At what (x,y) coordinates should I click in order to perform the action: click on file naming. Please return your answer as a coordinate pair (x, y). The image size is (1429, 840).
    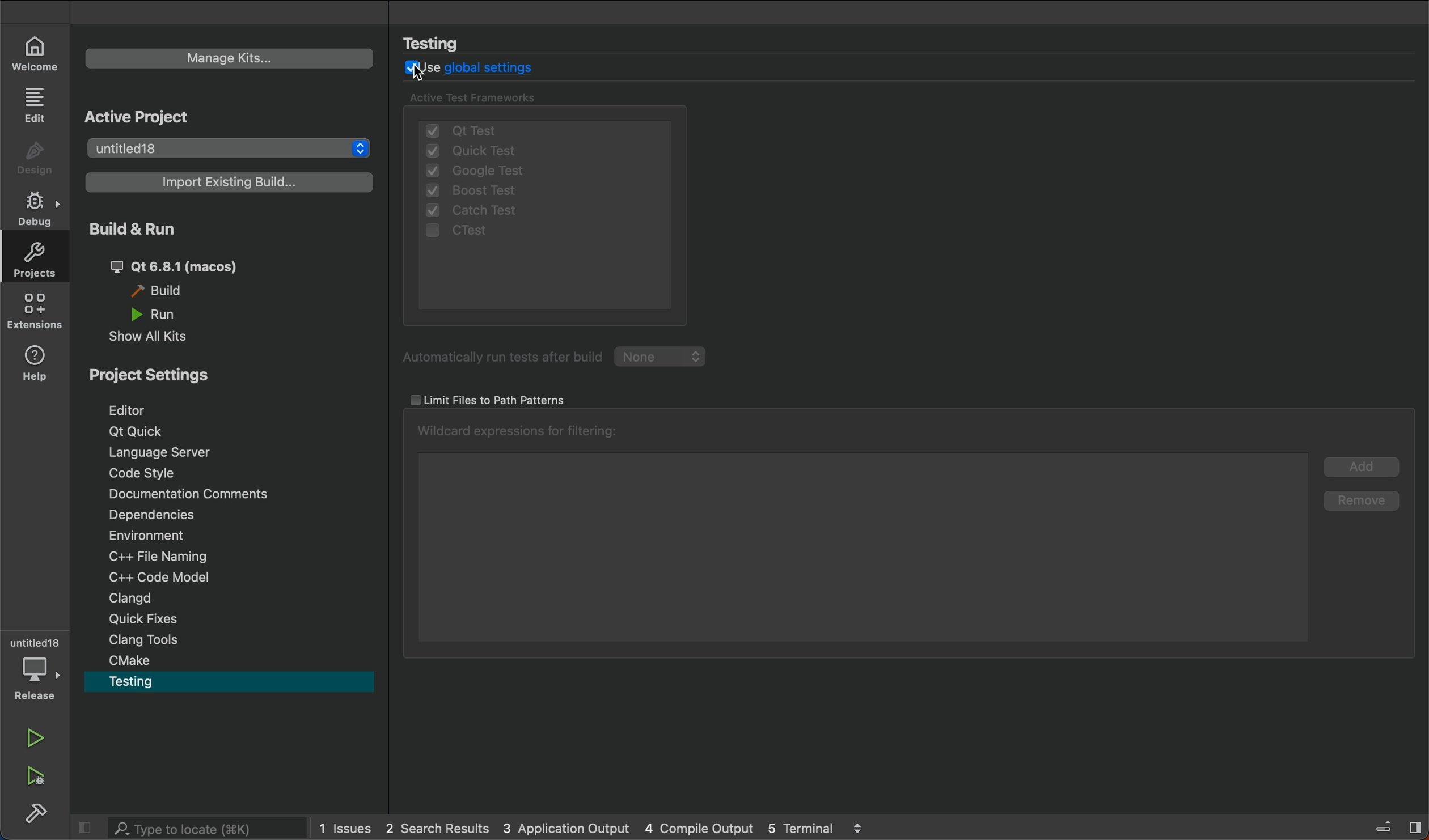
    Looking at the image, I should click on (235, 559).